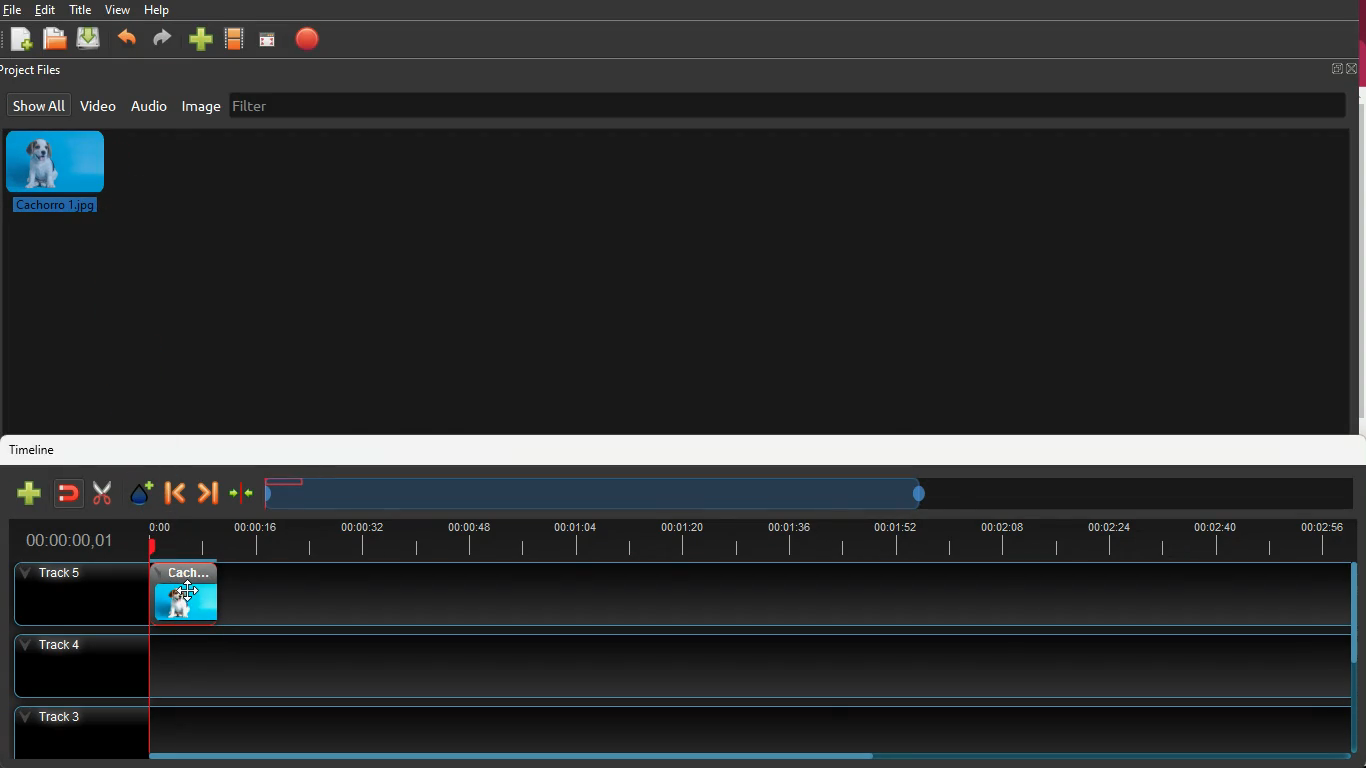 The height and width of the screenshot is (768, 1366). I want to click on time, so click(54, 536).